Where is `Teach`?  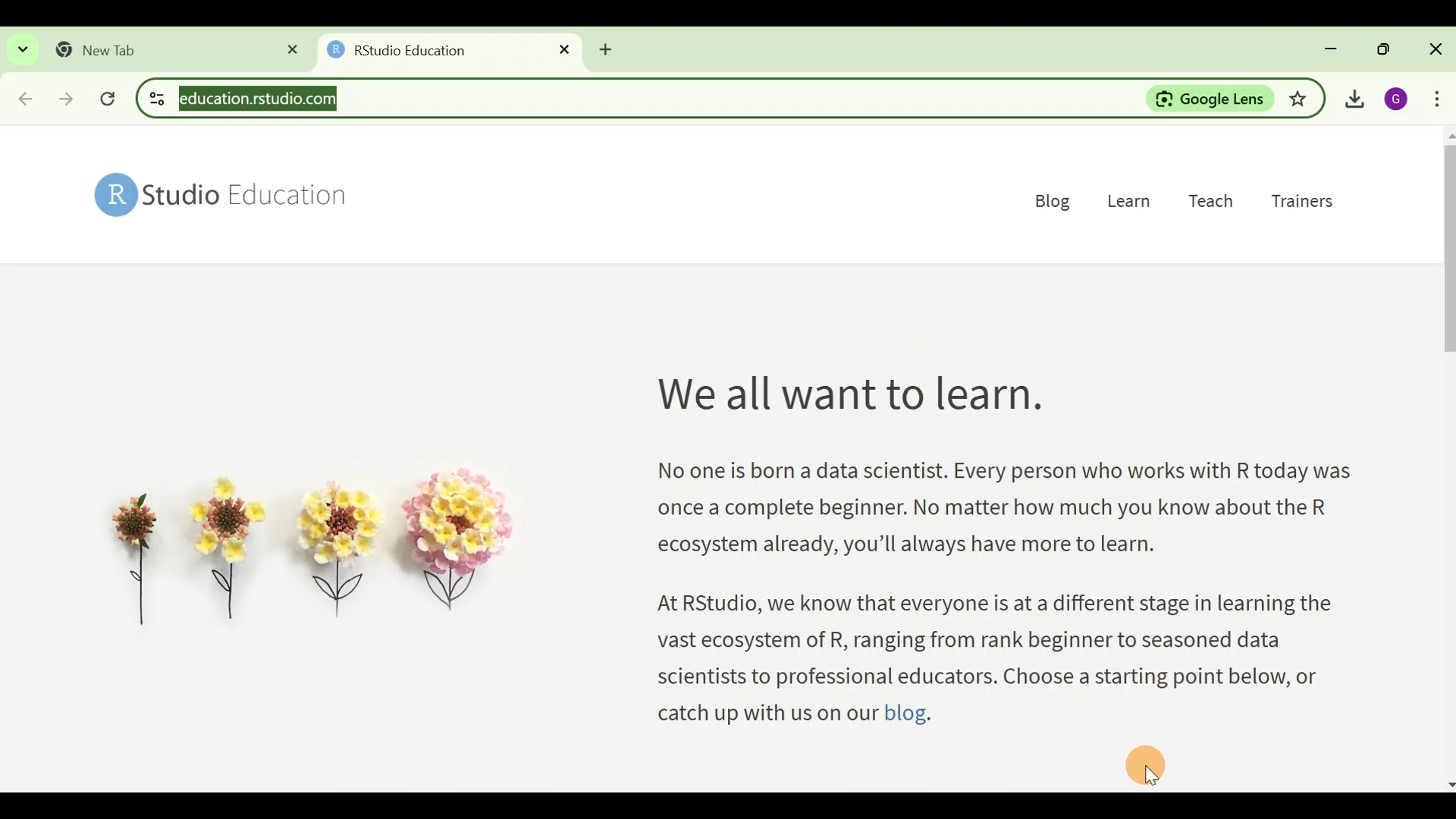
Teach is located at coordinates (1213, 204).